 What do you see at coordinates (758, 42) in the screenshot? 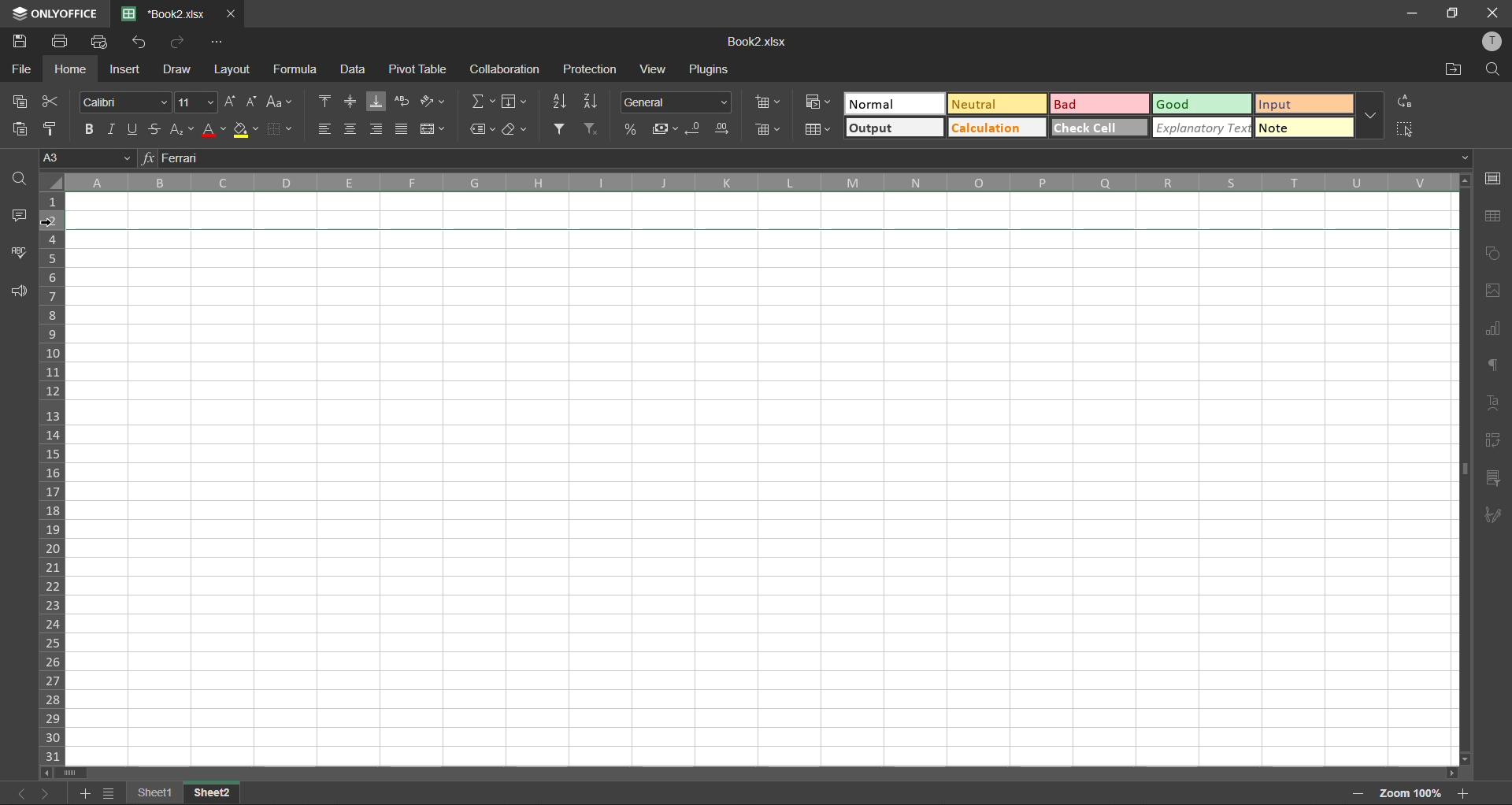
I see `Book2.xlsx` at bounding box center [758, 42].